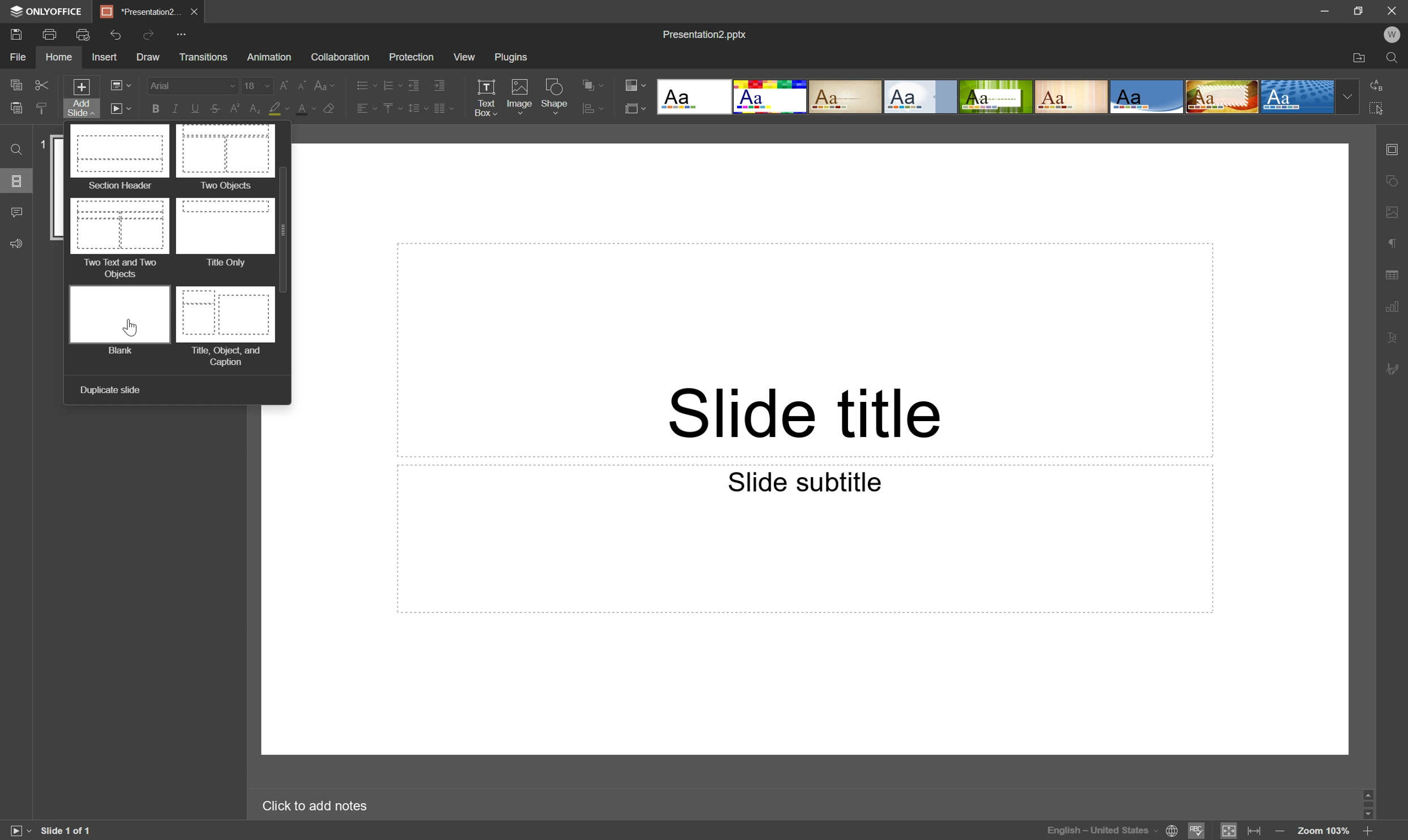 The image size is (1408, 840). I want to click on Zoom out, so click(1279, 830).